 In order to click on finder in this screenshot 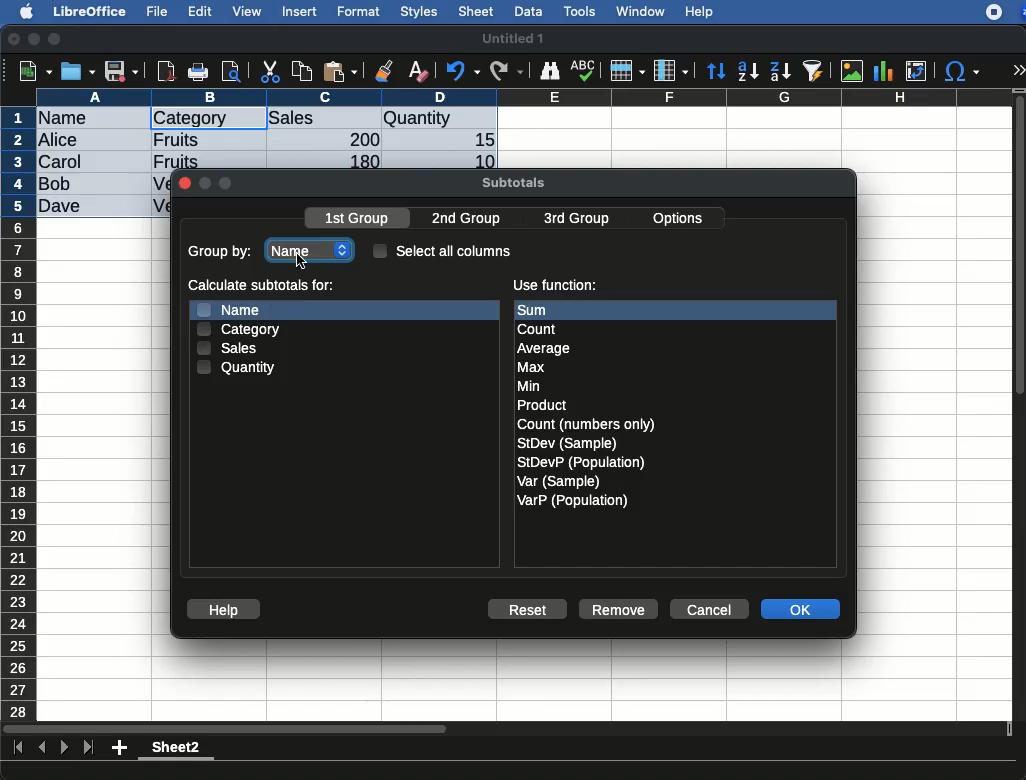, I will do `click(549, 71)`.